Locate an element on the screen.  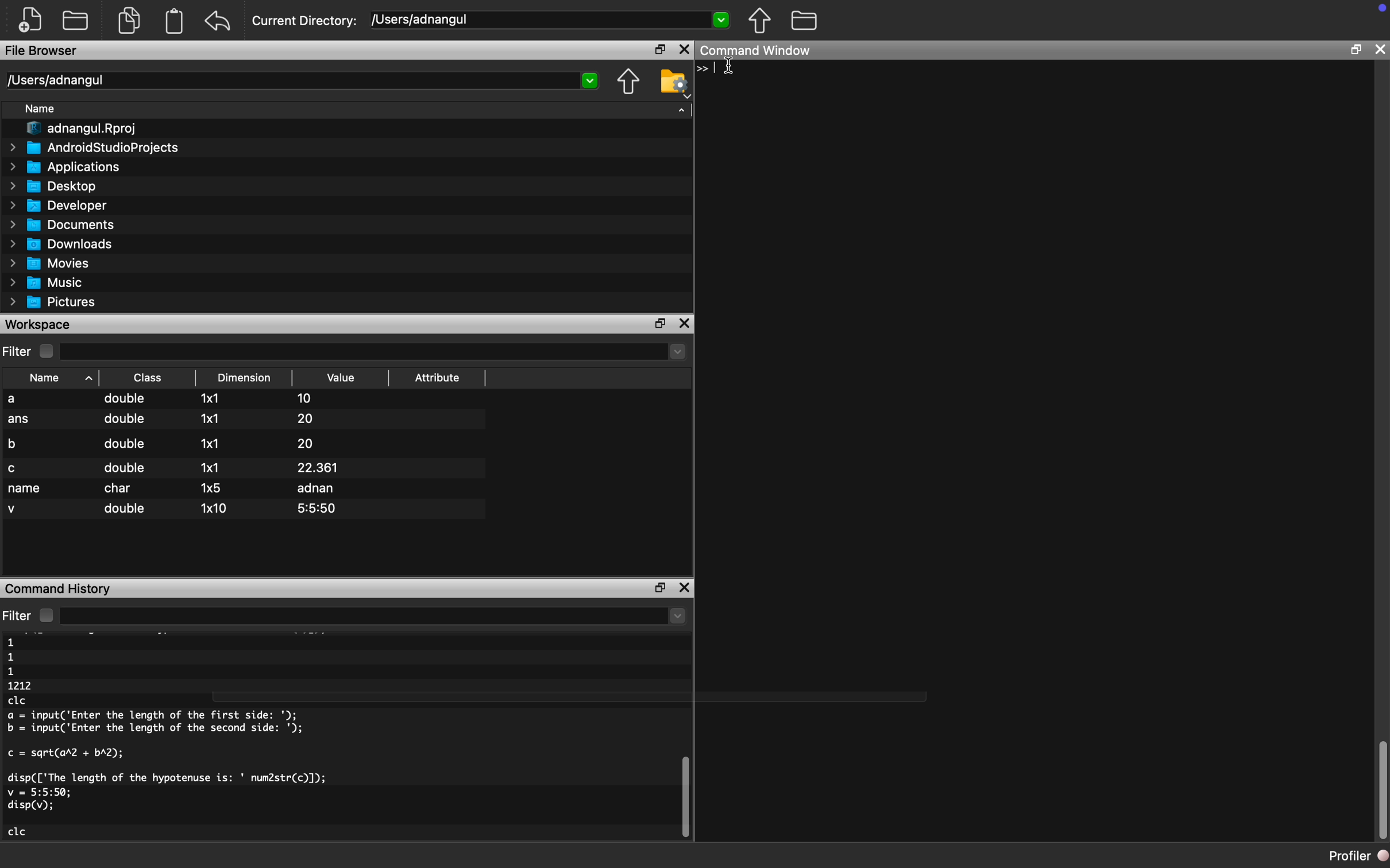
maximize is located at coordinates (658, 588).